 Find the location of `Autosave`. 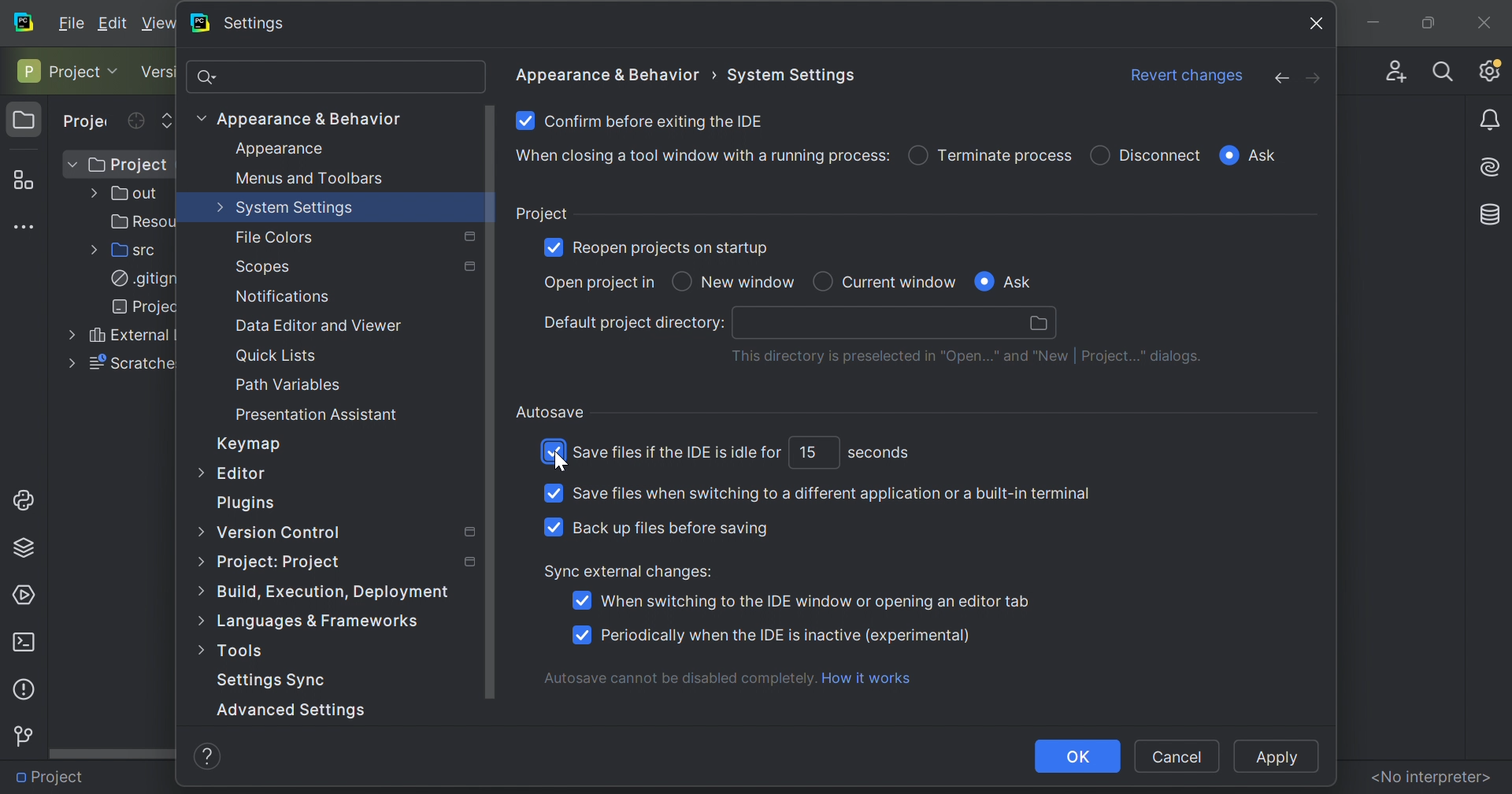

Autosave is located at coordinates (550, 412).